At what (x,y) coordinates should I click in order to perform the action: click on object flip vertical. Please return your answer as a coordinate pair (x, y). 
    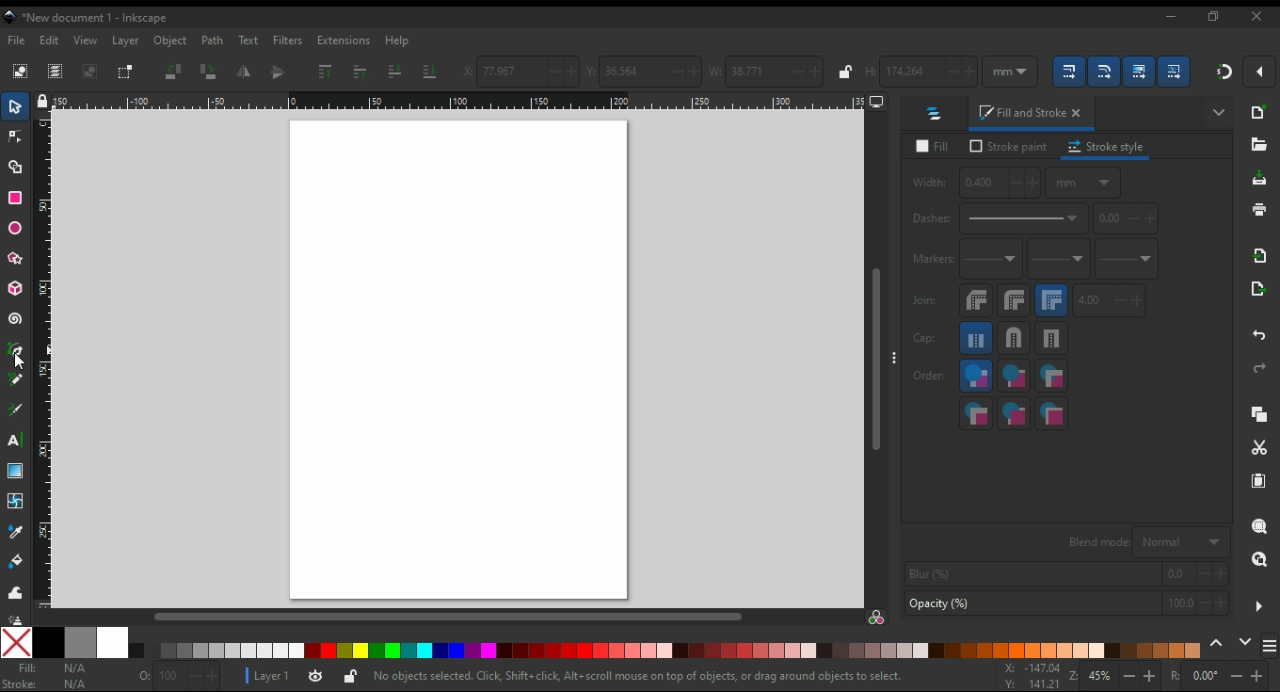
    Looking at the image, I should click on (281, 72).